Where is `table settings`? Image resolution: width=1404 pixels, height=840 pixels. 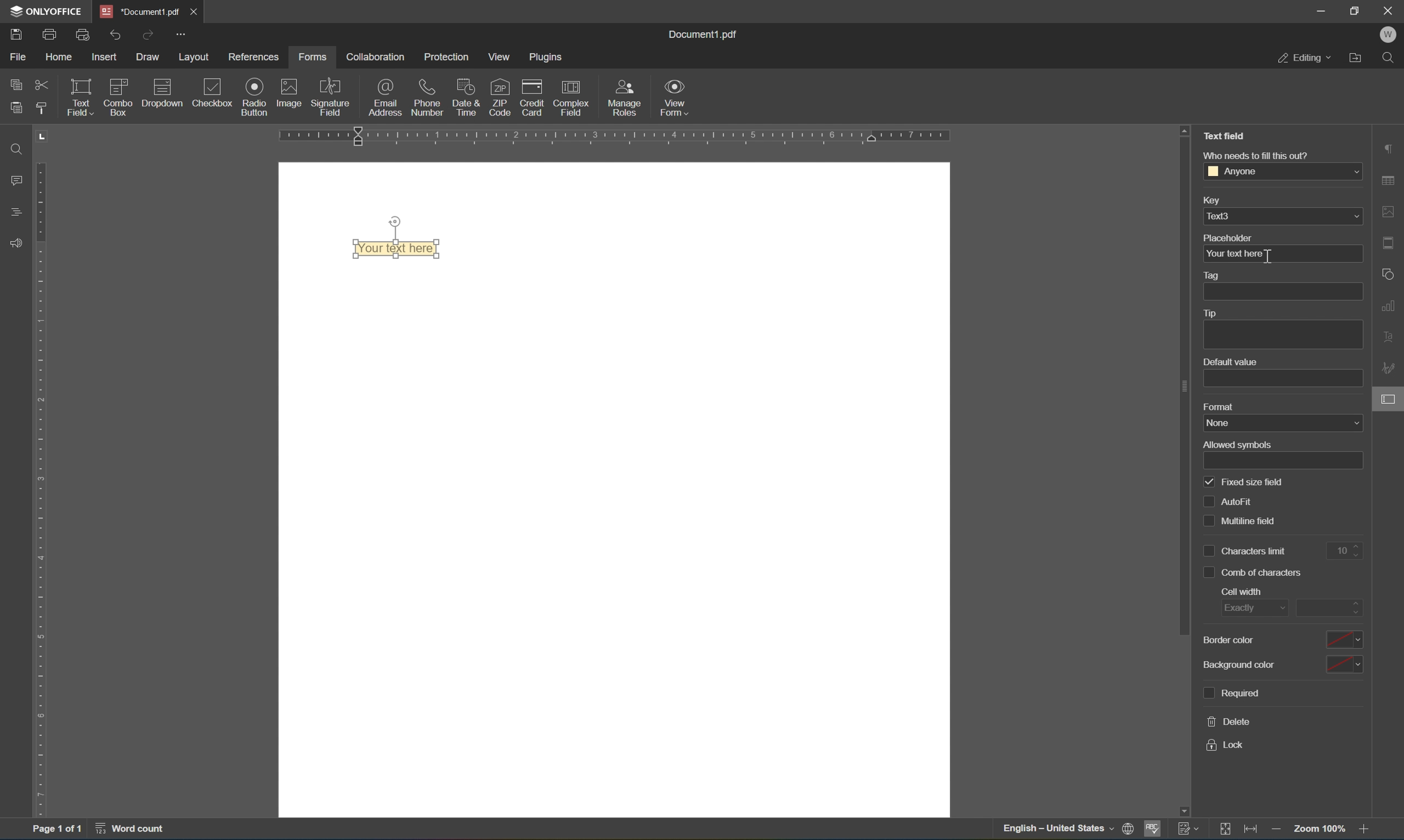
table settings is located at coordinates (1390, 181).